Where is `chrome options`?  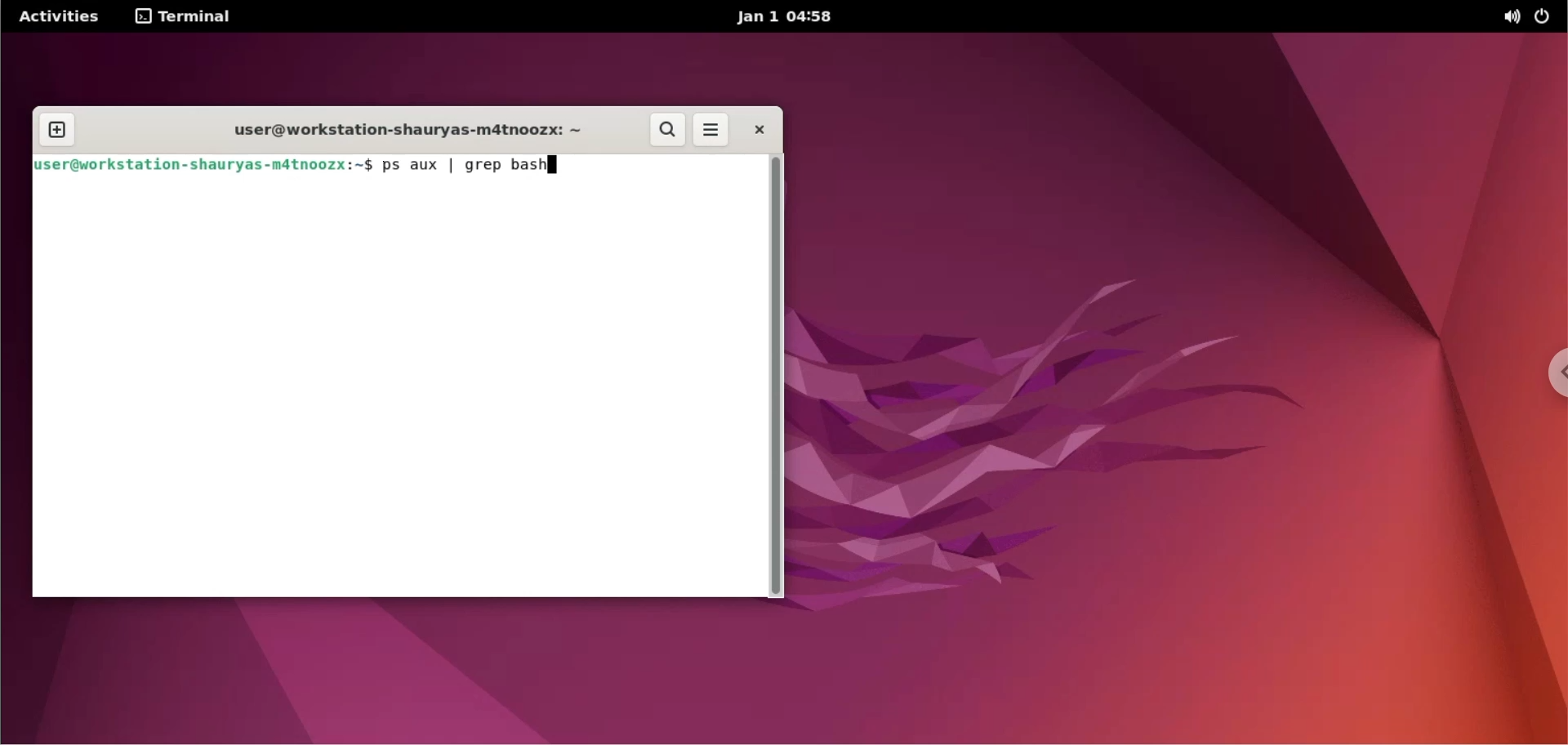
chrome options is located at coordinates (1539, 377).